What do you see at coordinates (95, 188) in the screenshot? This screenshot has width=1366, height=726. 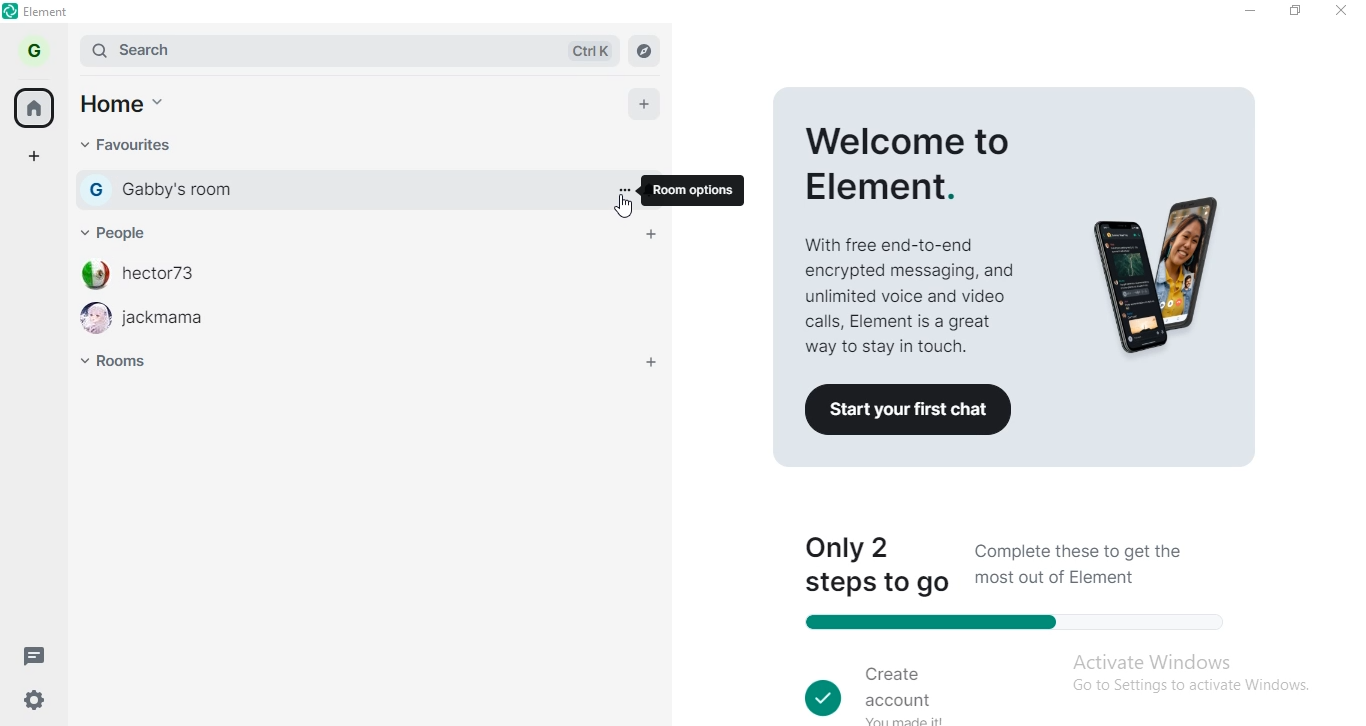 I see `G` at bounding box center [95, 188].